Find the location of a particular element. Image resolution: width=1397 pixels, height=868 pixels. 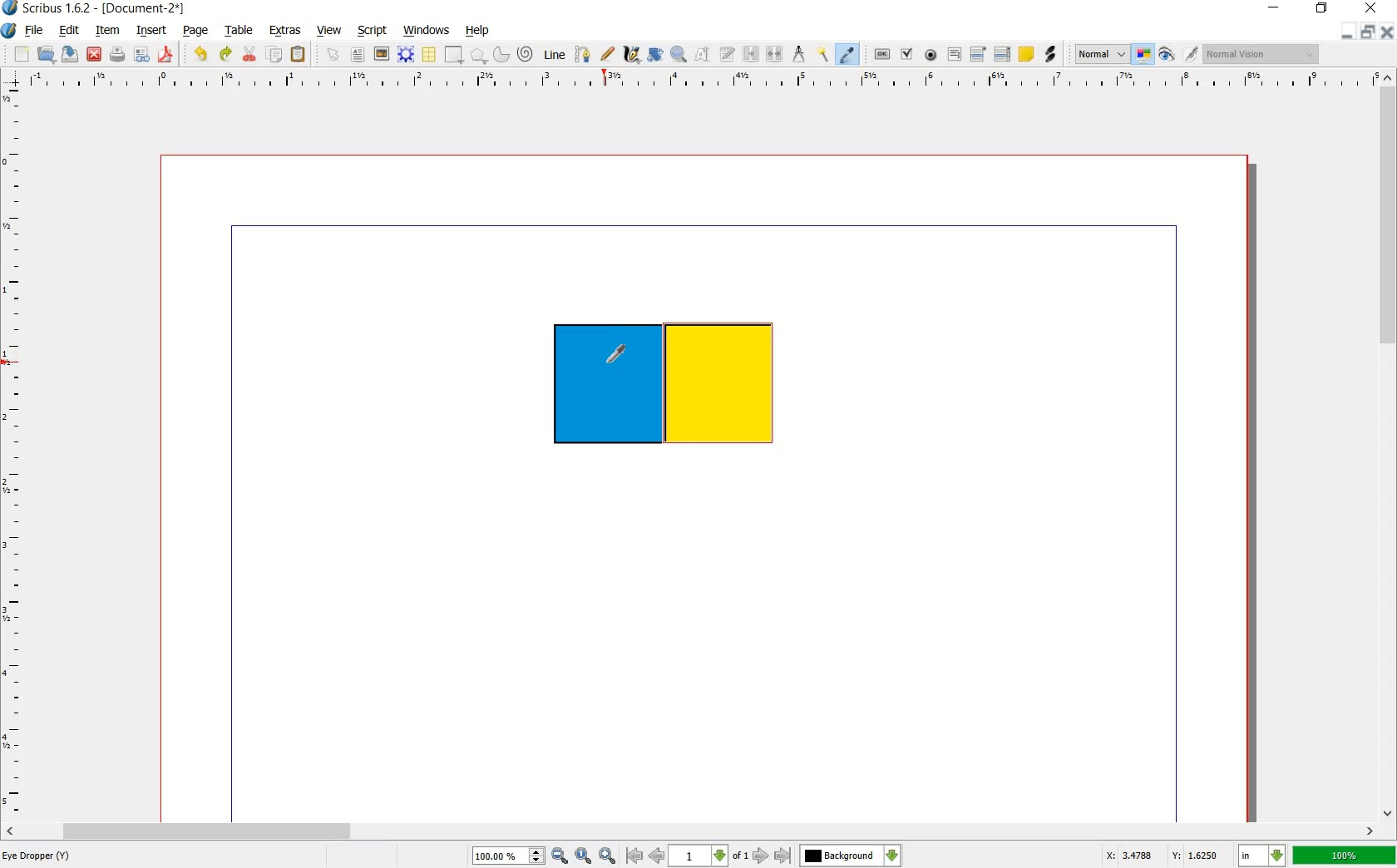

new is located at coordinates (21, 55).